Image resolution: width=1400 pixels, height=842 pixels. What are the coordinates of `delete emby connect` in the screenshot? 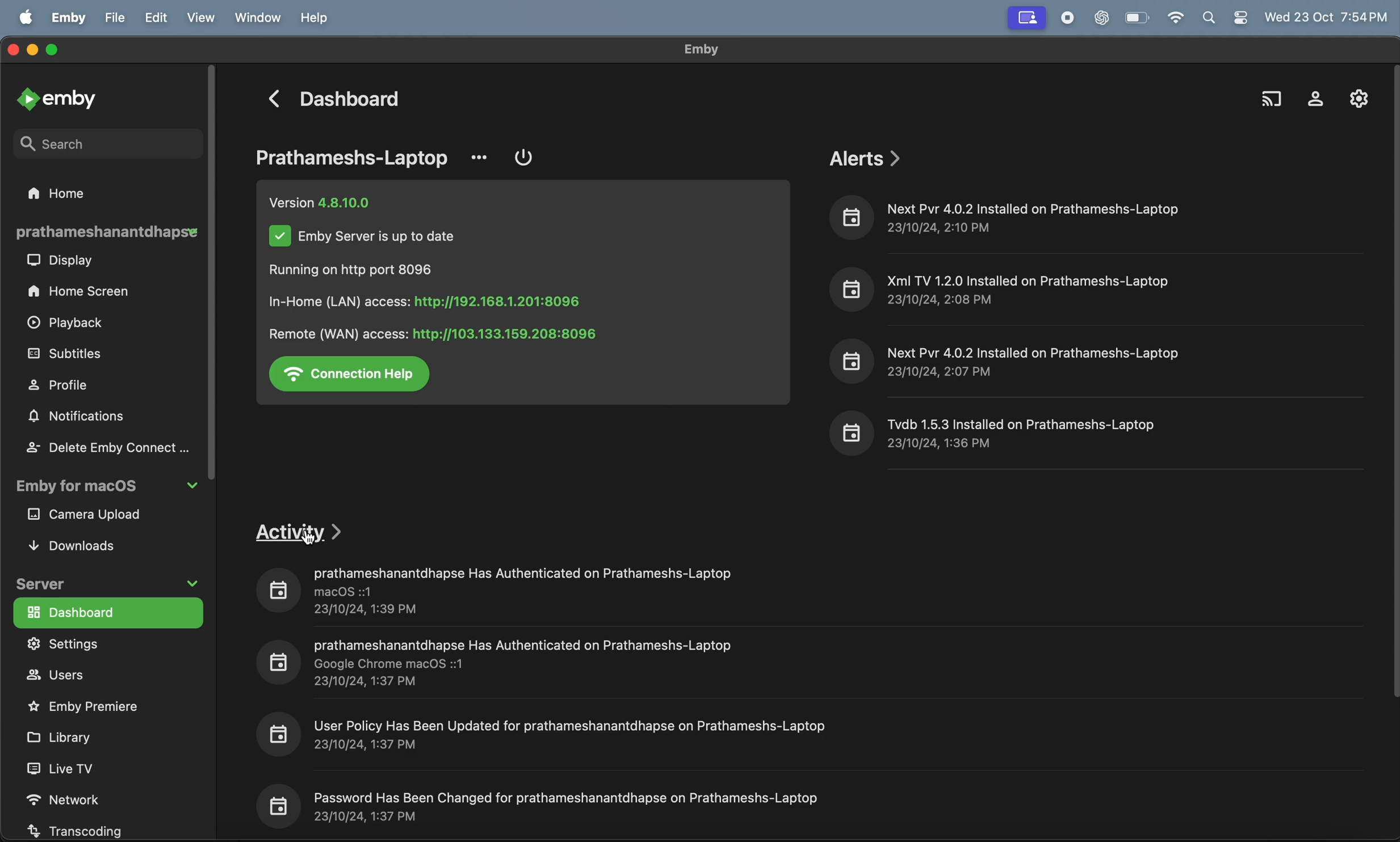 It's located at (106, 447).